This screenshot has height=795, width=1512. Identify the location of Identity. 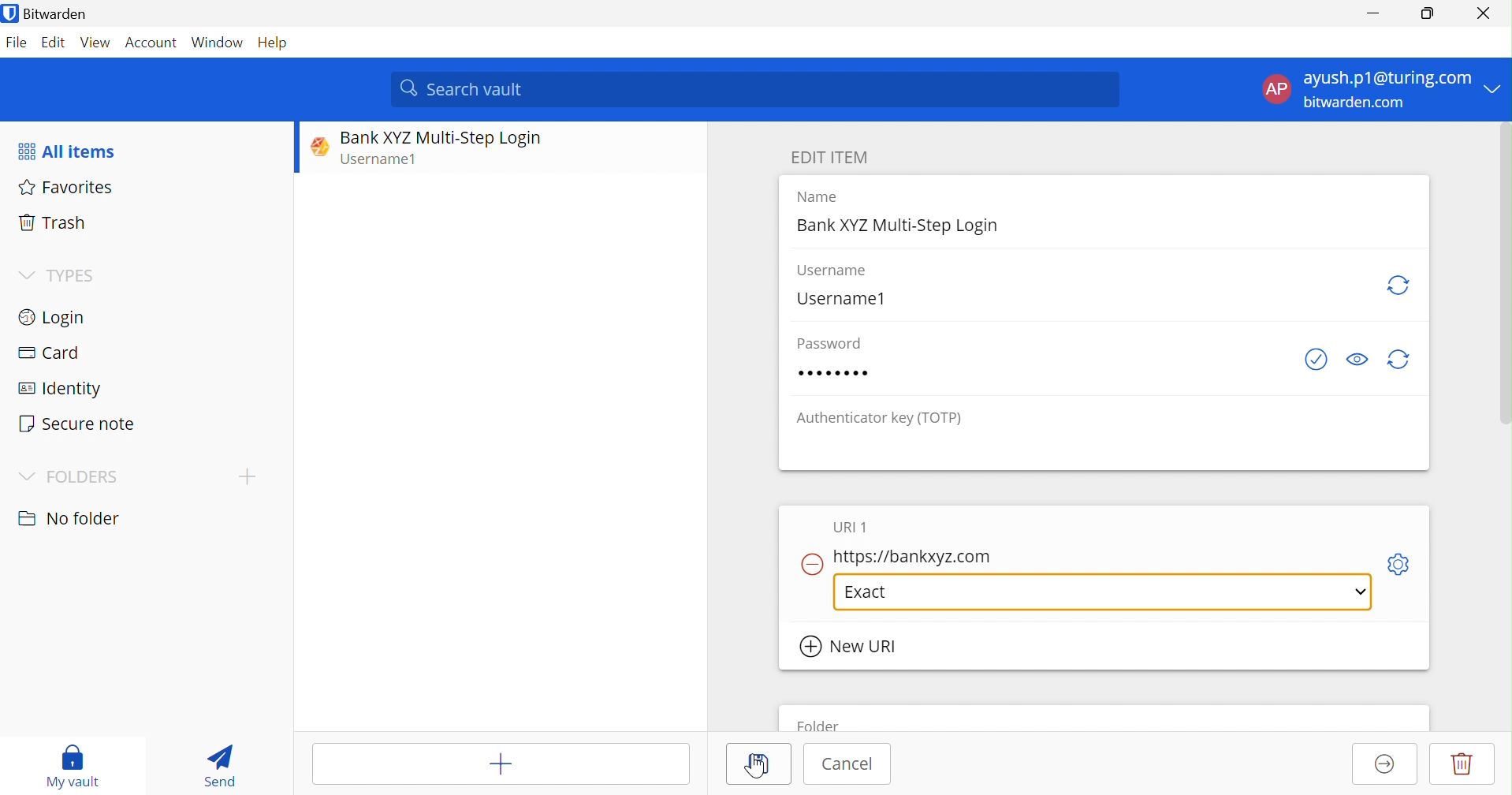
(61, 390).